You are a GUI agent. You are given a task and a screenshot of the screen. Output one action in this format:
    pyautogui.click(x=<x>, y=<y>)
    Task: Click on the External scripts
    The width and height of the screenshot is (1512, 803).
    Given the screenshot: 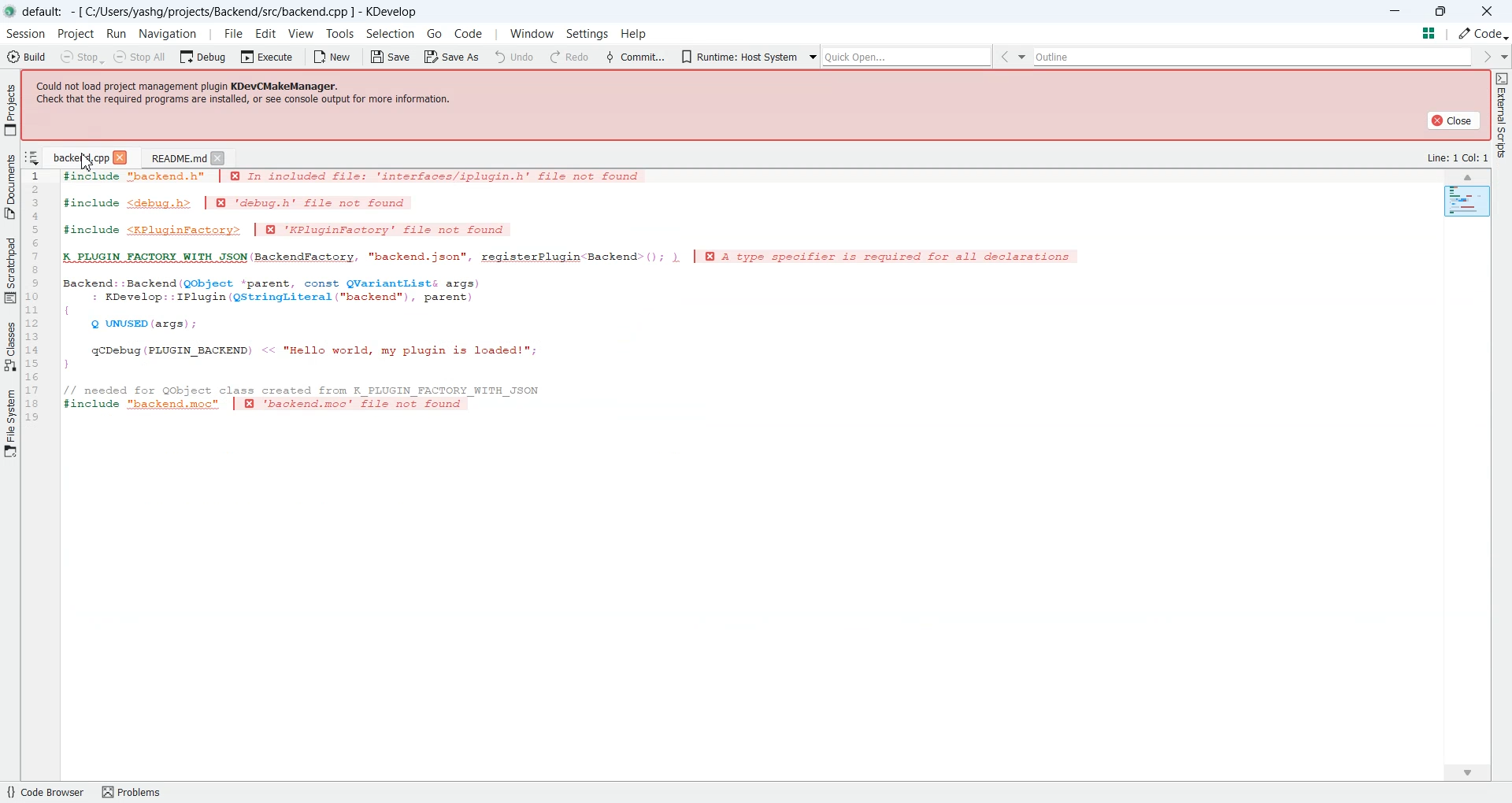 What is the action you would take?
    pyautogui.click(x=1501, y=120)
    